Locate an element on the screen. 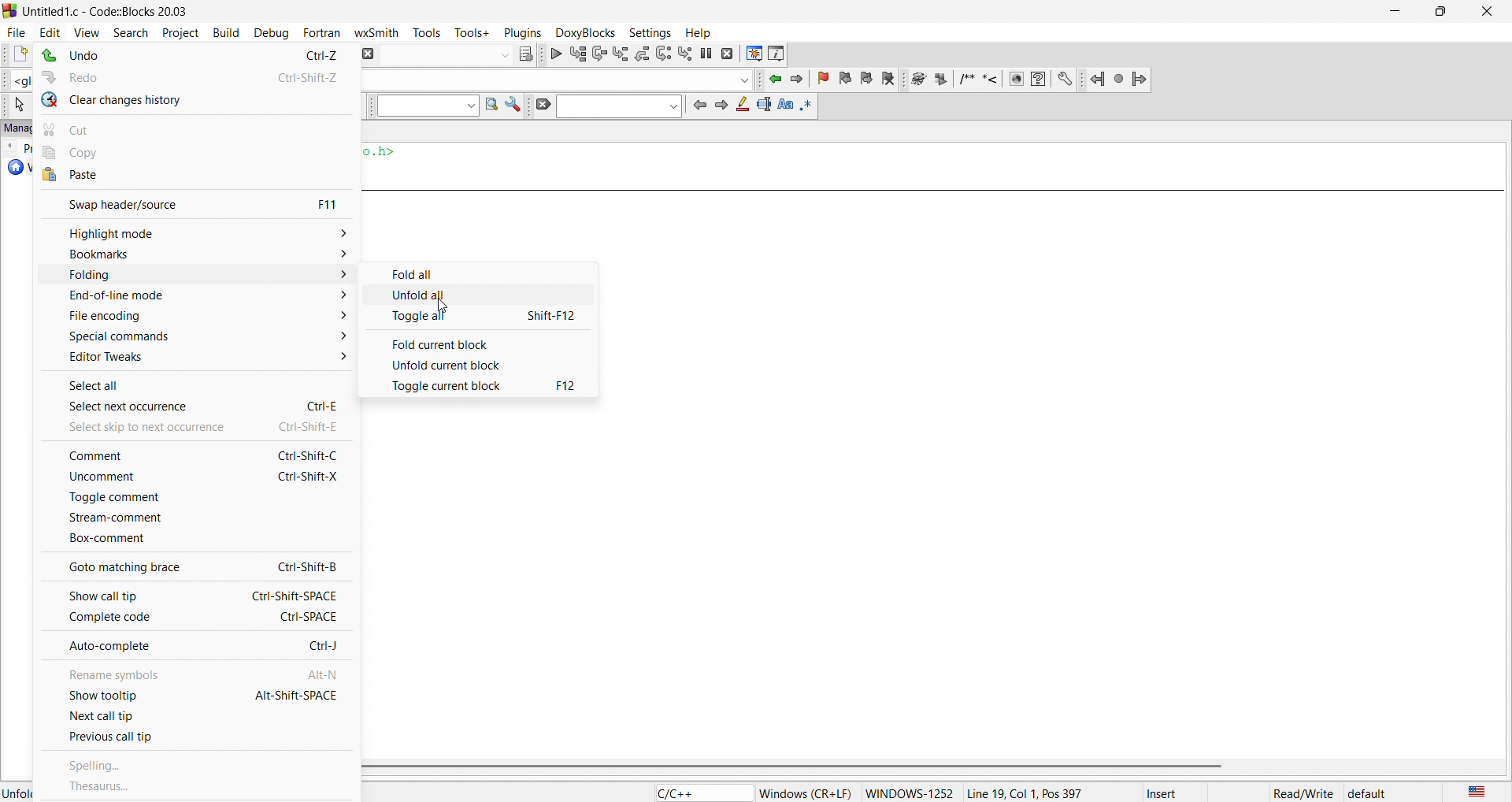 The image size is (1512, 802). cursor  is located at coordinates (438, 303).